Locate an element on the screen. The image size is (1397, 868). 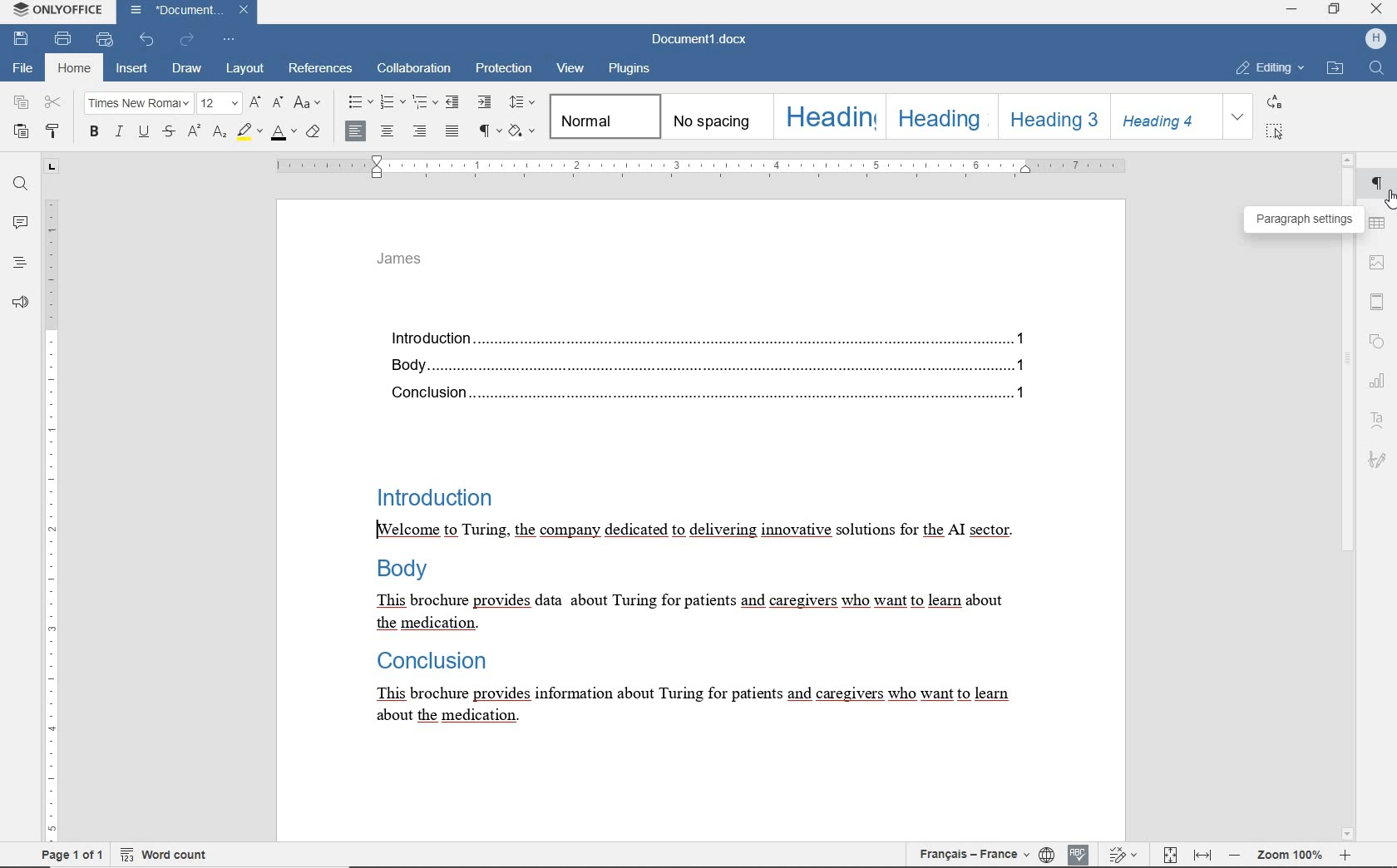
find is located at coordinates (21, 182).